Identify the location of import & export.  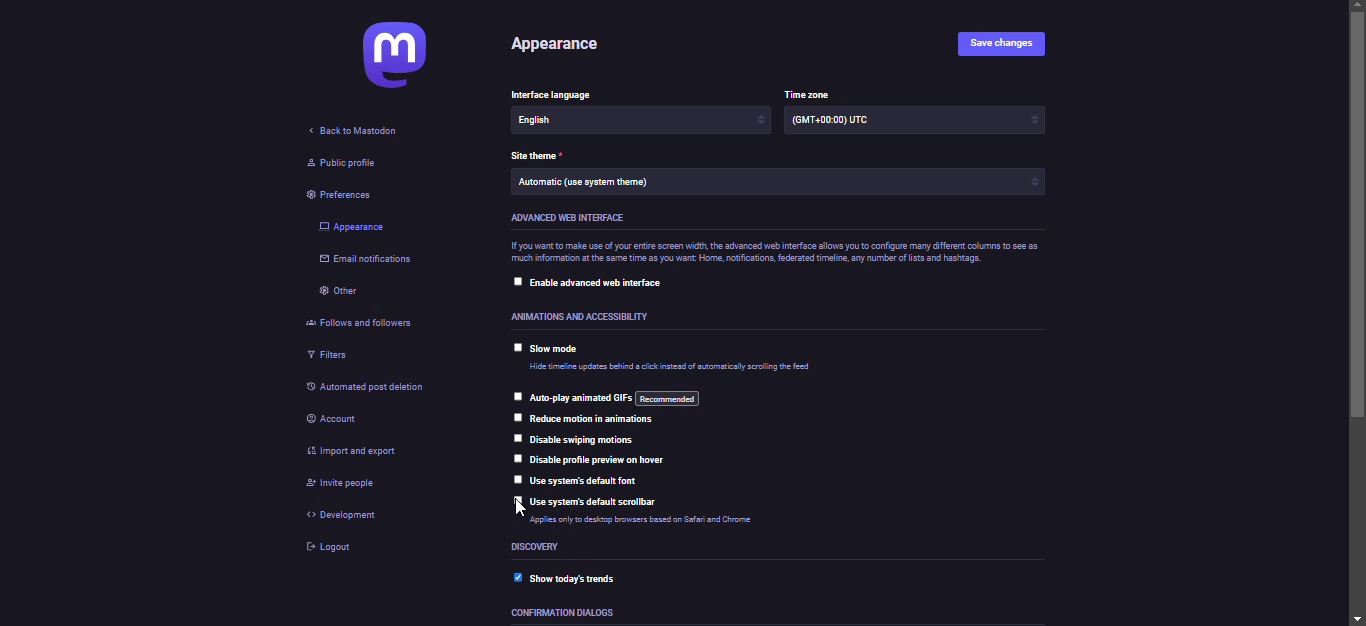
(355, 453).